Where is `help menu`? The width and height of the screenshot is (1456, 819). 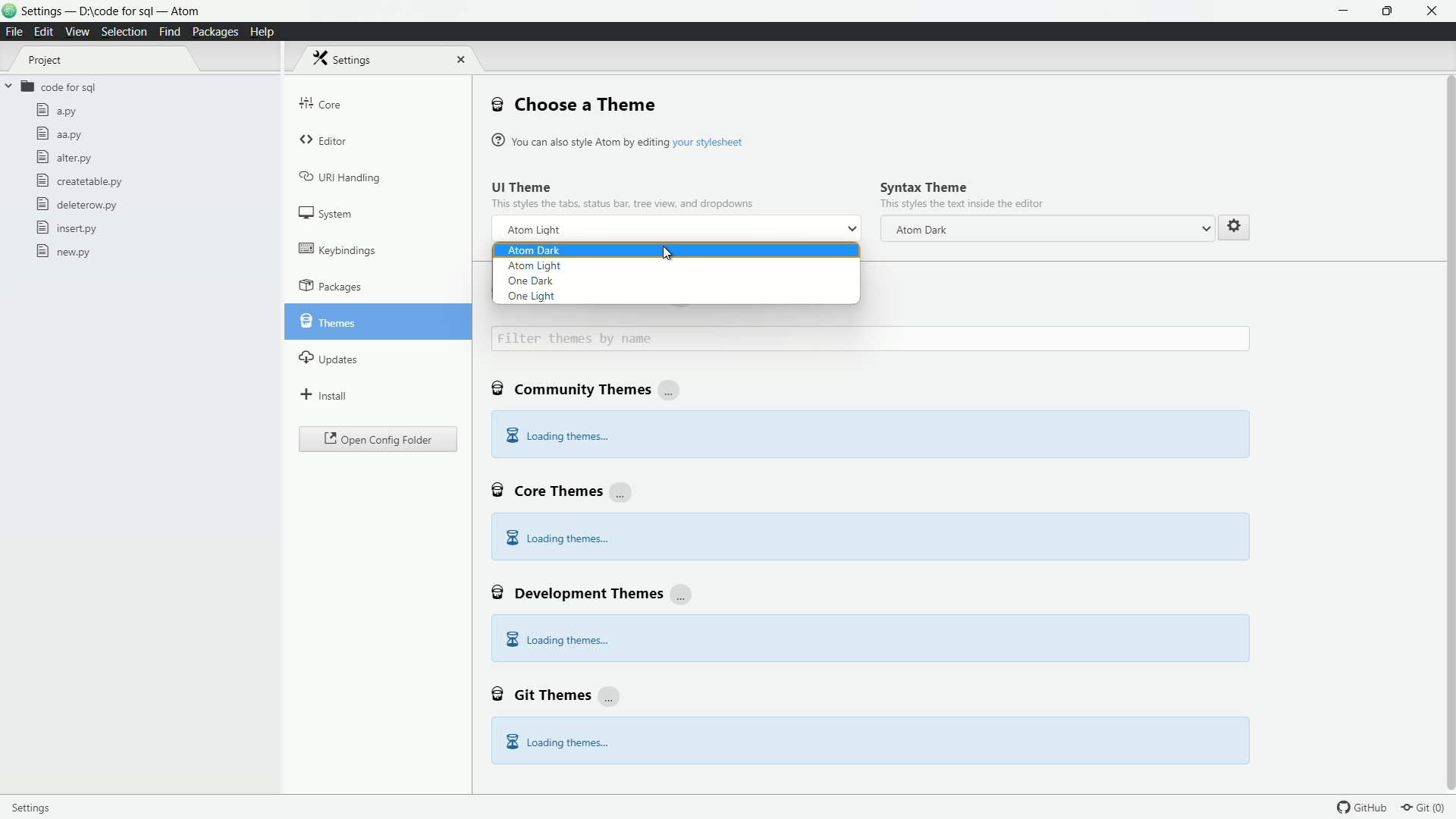 help menu is located at coordinates (261, 33).